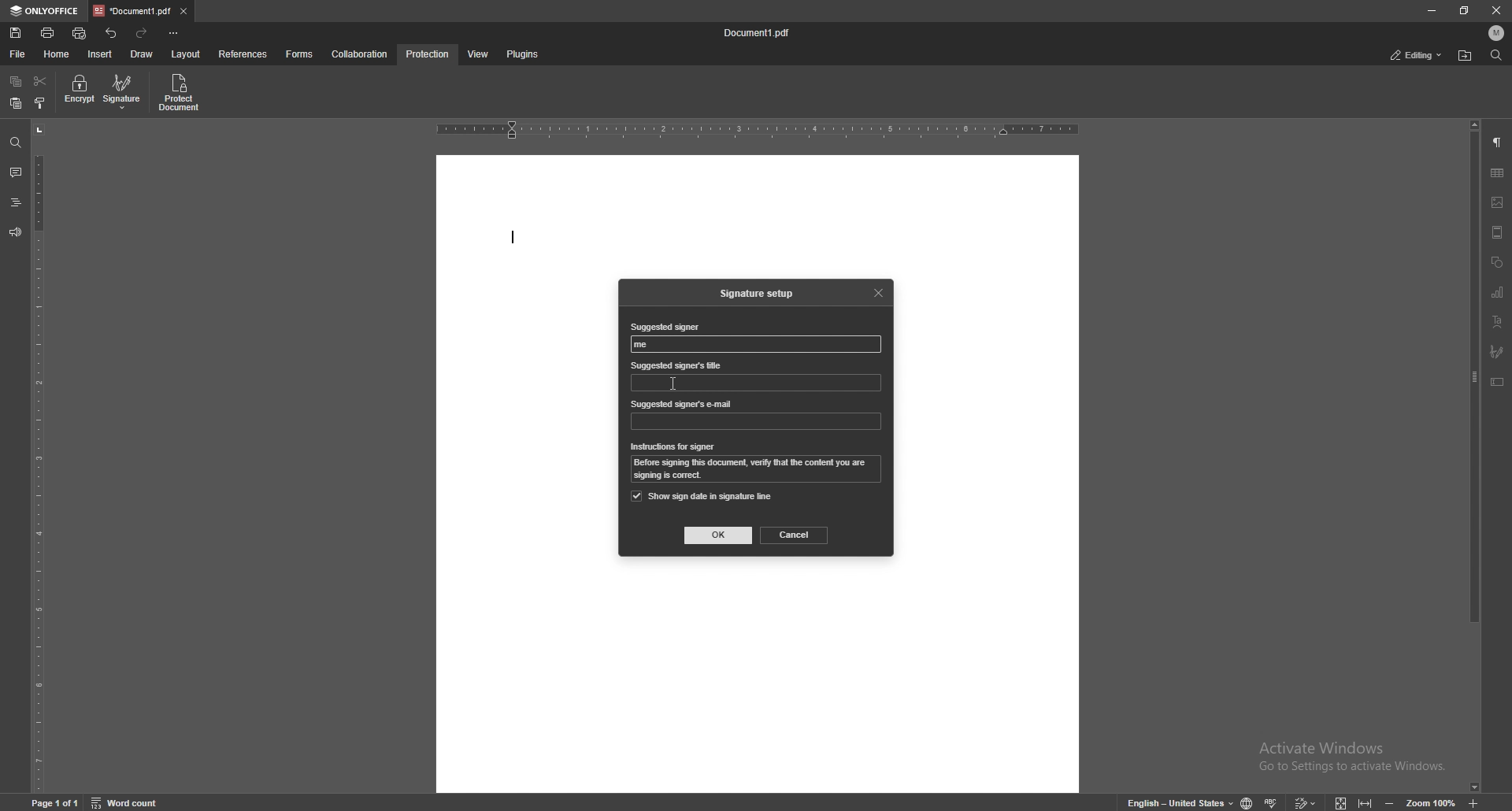 This screenshot has width=1512, height=811. Describe the element at coordinates (1303, 801) in the screenshot. I see `track changes` at that location.